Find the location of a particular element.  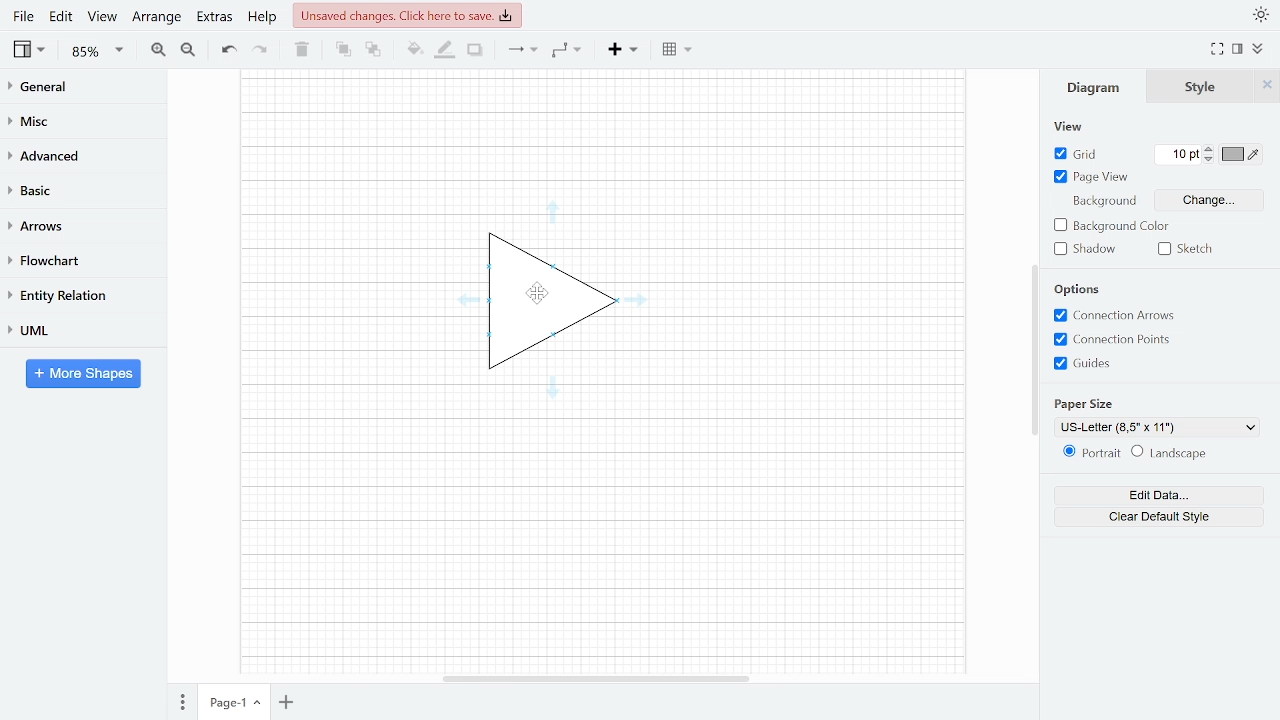

help is located at coordinates (264, 16).